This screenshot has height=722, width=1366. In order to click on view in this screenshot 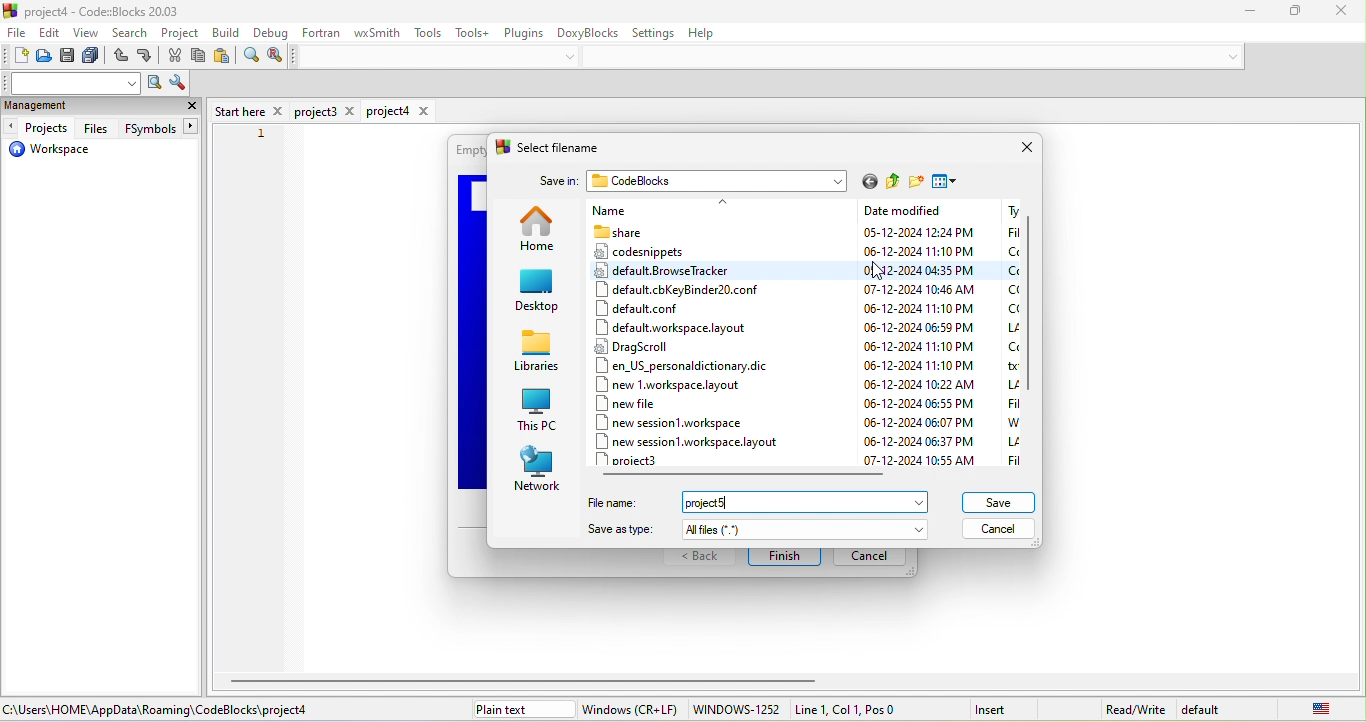, I will do `click(88, 35)`.